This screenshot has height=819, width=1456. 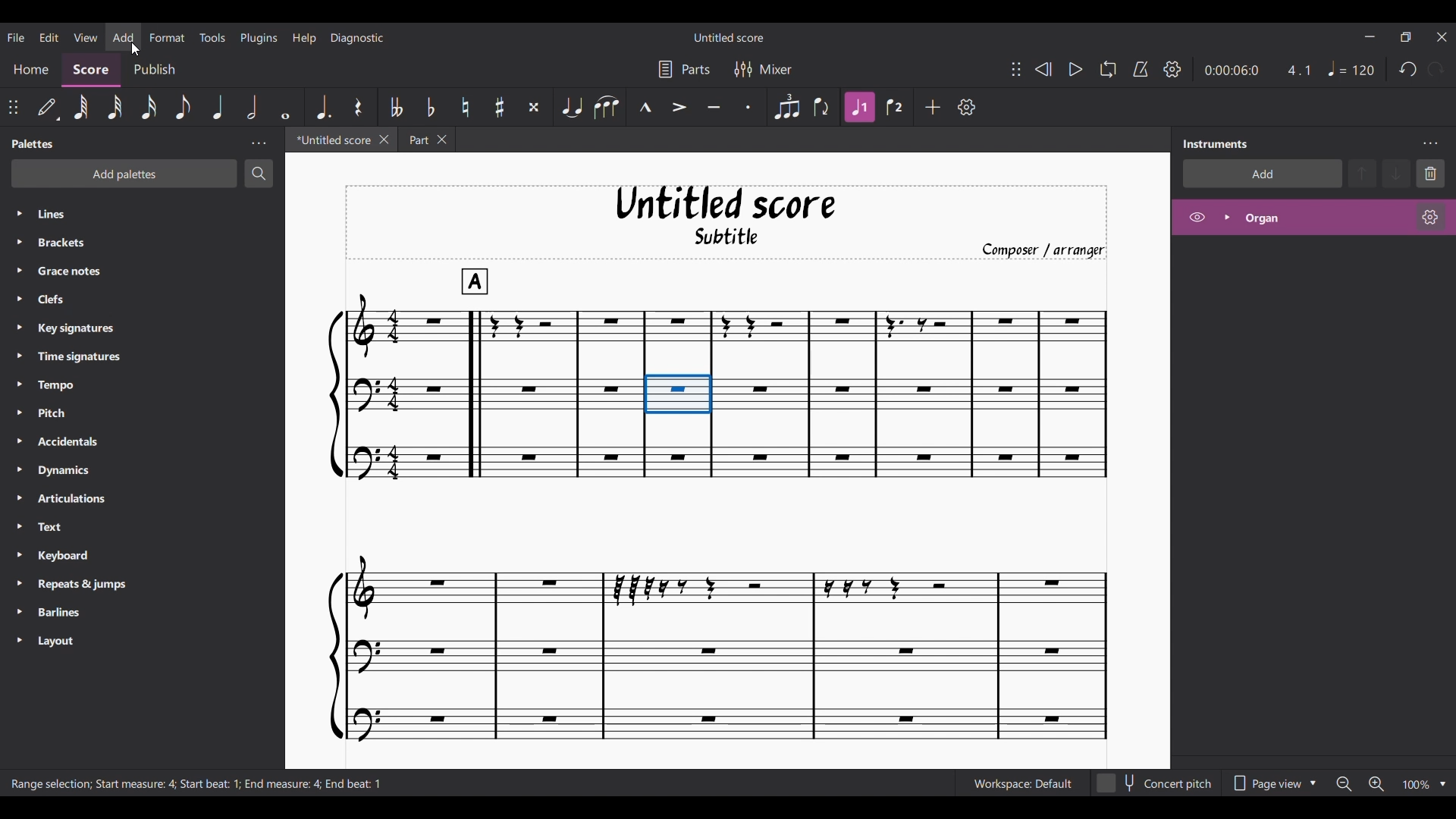 I want to click on Default, so click(x=48, y=107).